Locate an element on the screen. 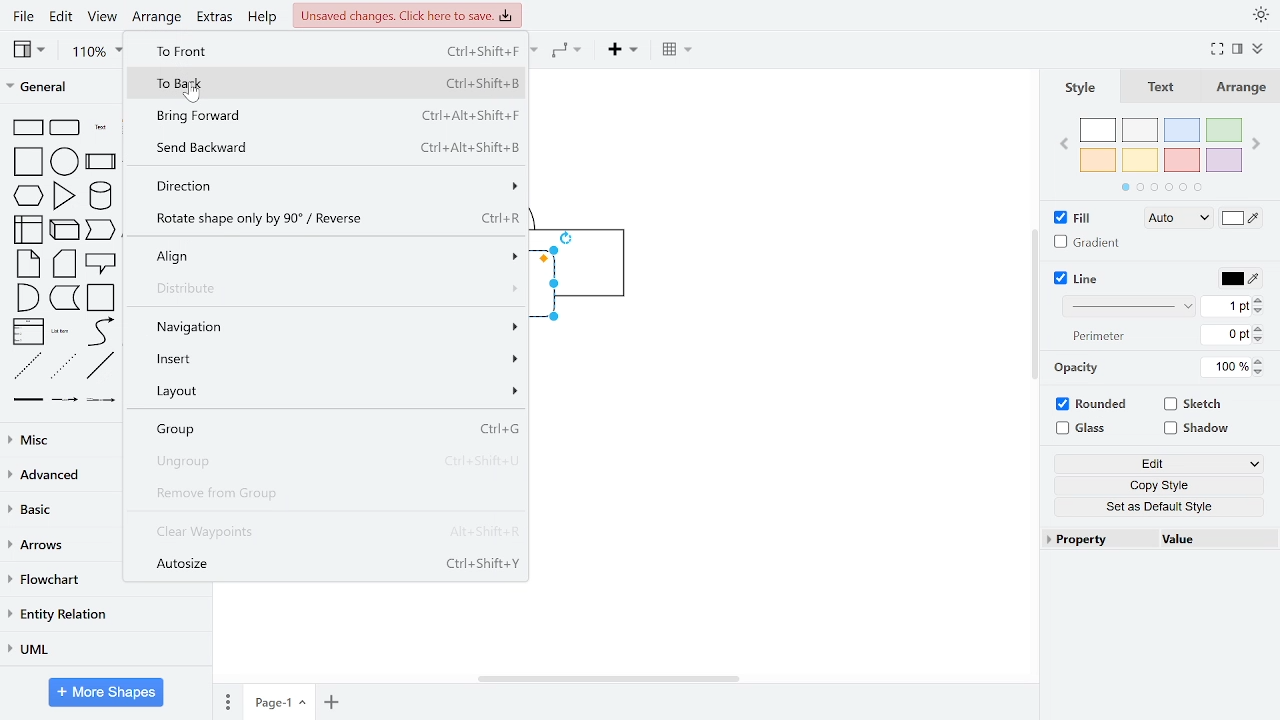 Image resolution: width=1280 pixels, height=720 pixels. flowchart is located at coordinates (55, 579).